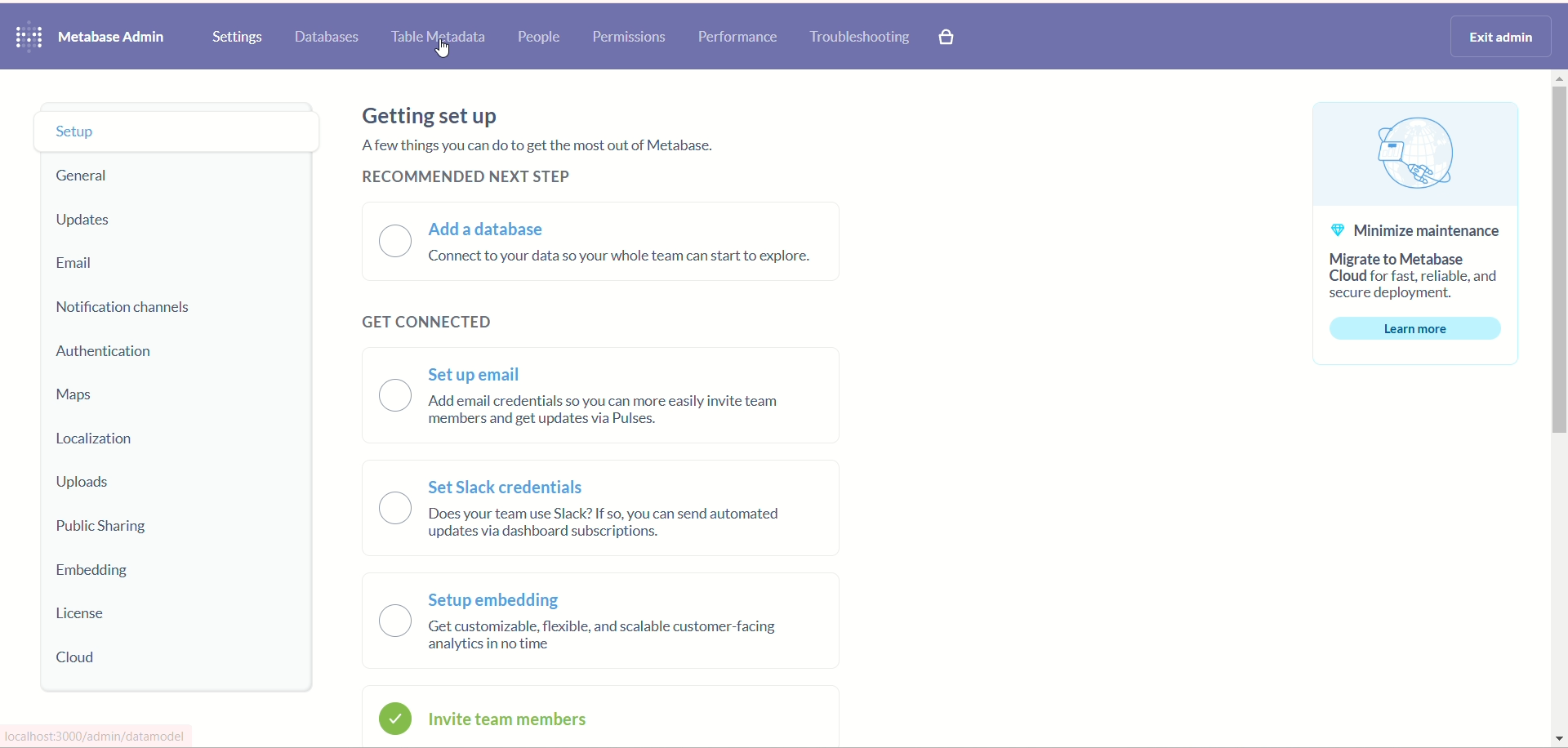  Describe the element at coordinates (395, 396) in the screenshot. I see `toggle button` at that location.